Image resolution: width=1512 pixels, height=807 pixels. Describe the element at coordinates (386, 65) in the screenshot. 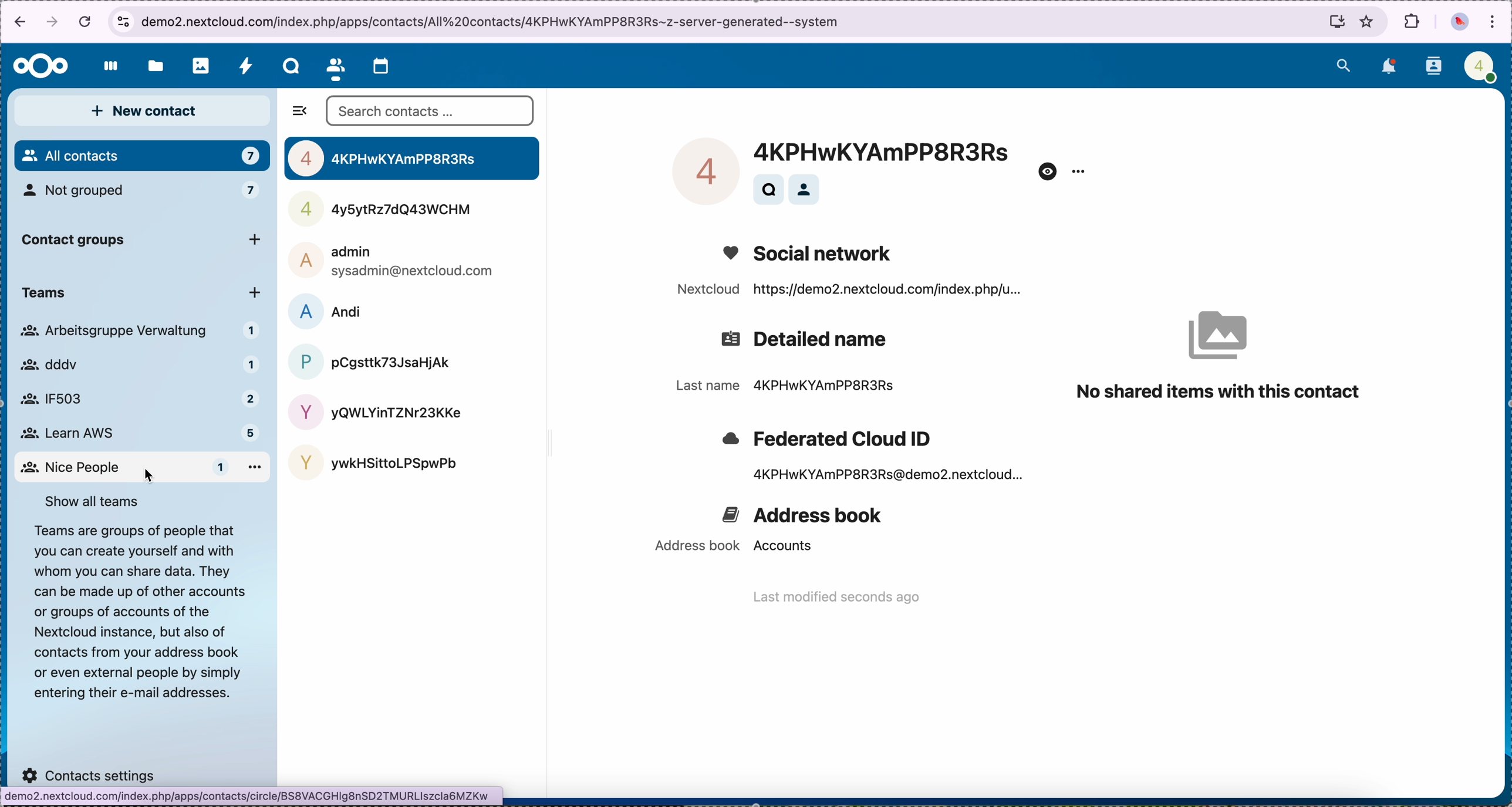

I see `calendar` at that location.